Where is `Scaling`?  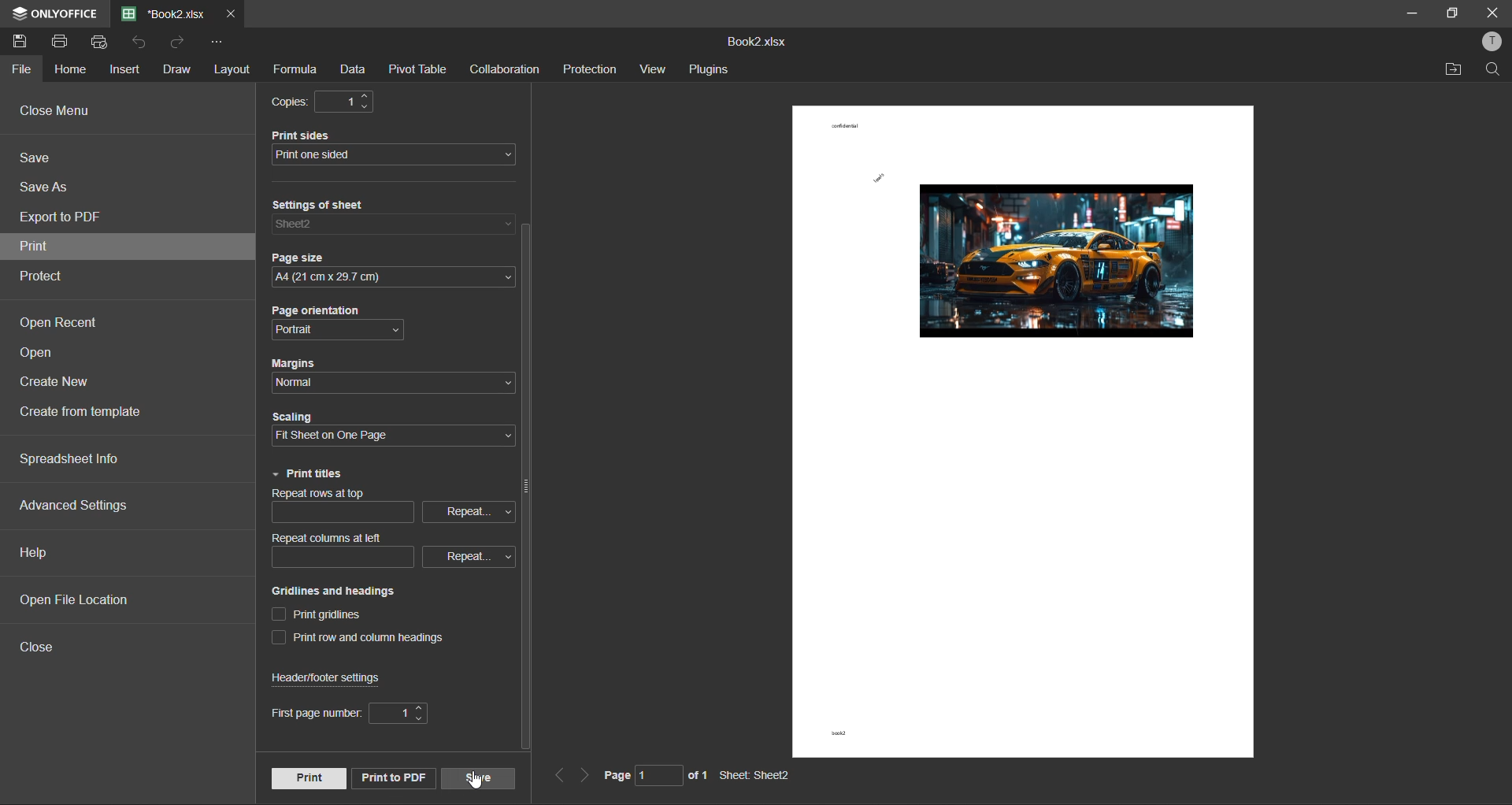 Scaling is located at coordinates (295, 417).